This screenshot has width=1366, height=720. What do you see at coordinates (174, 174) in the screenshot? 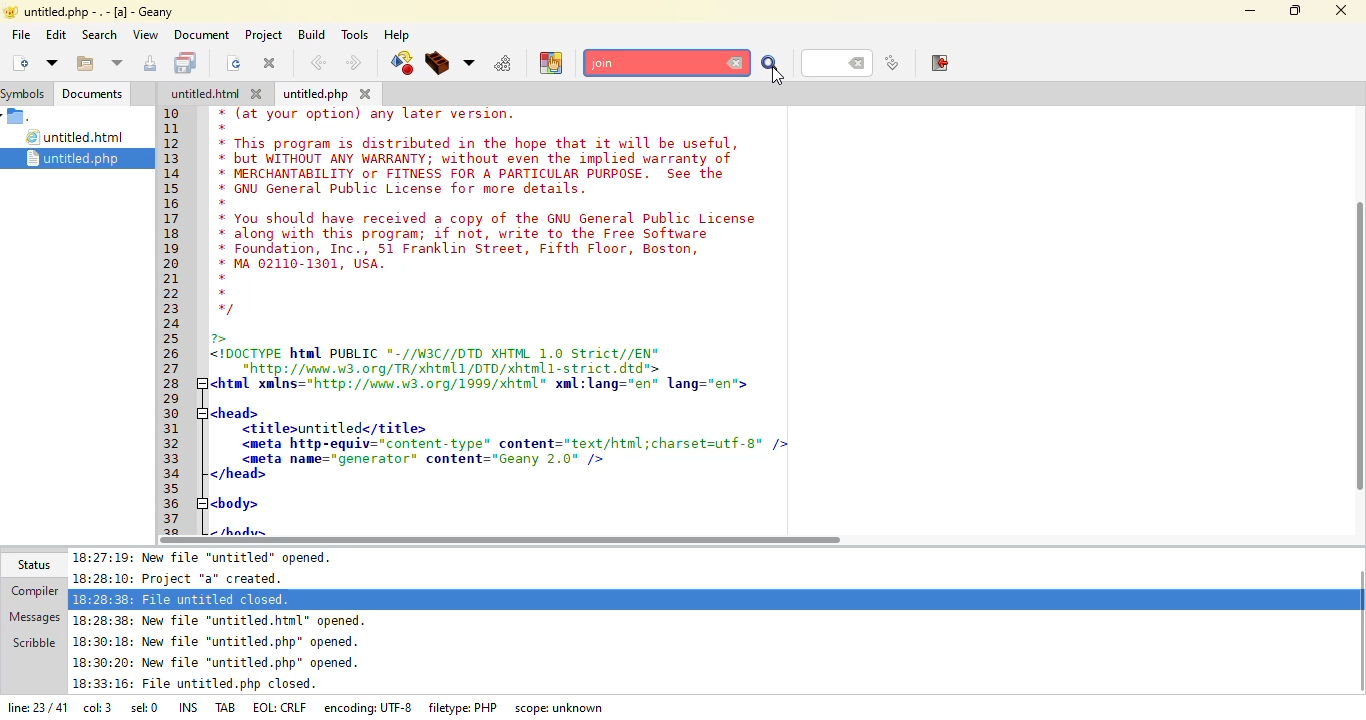
I see `14` at bounding box center [174, 174].